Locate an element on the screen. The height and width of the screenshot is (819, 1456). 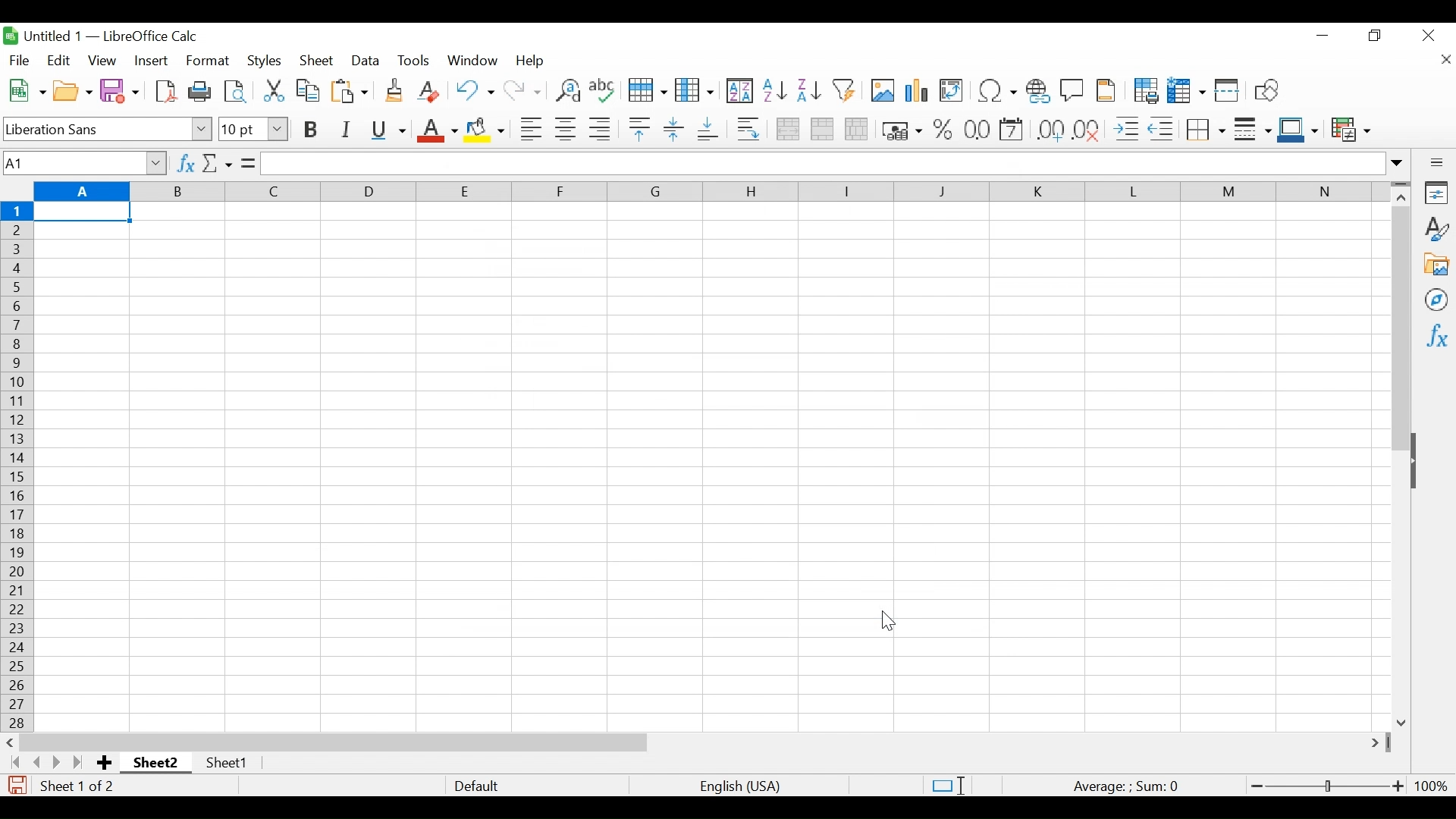
Format as Decimal is located at coordinates (1050, 131).